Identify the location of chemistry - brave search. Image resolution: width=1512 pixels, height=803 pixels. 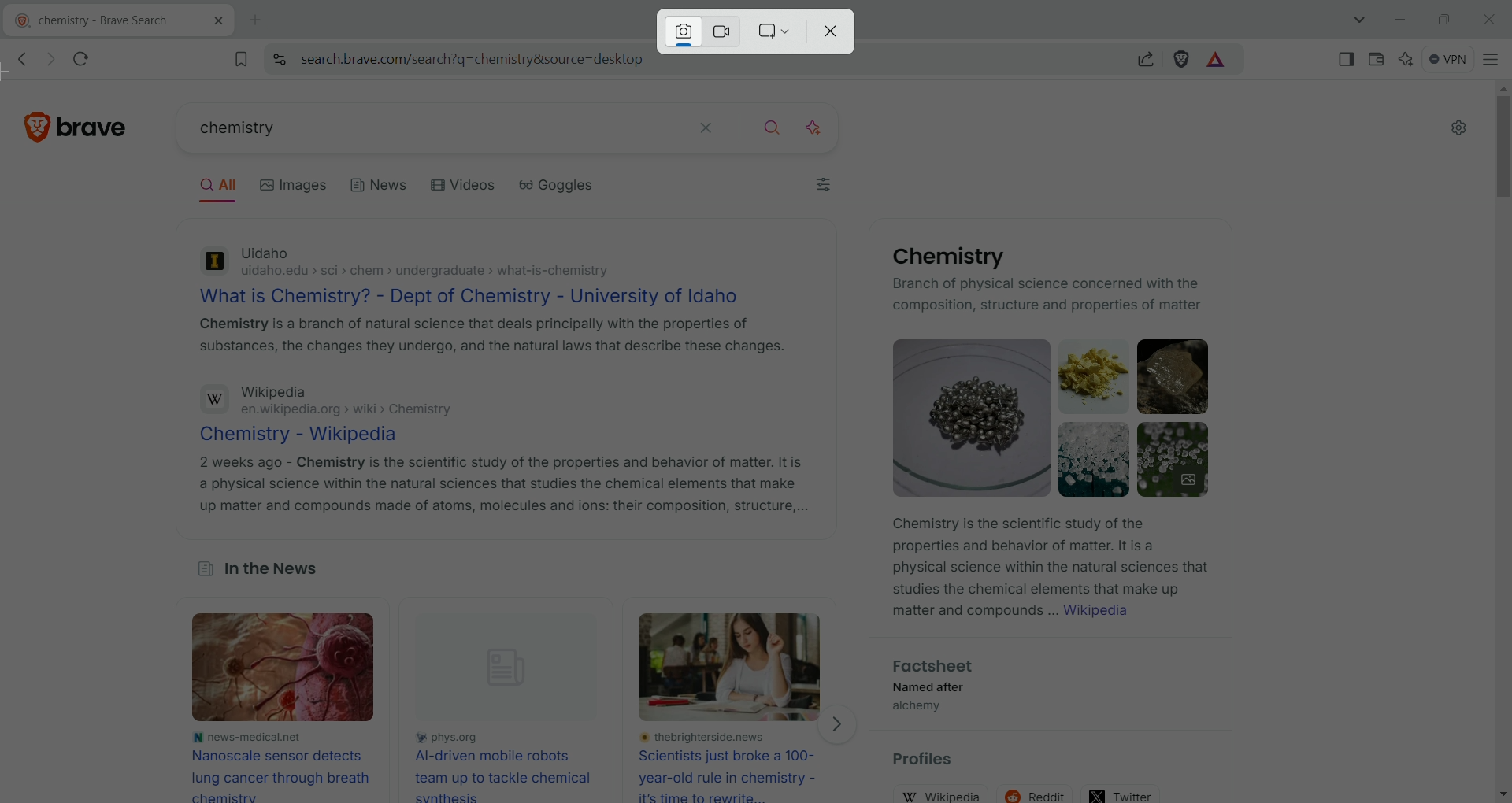
(89, 22).